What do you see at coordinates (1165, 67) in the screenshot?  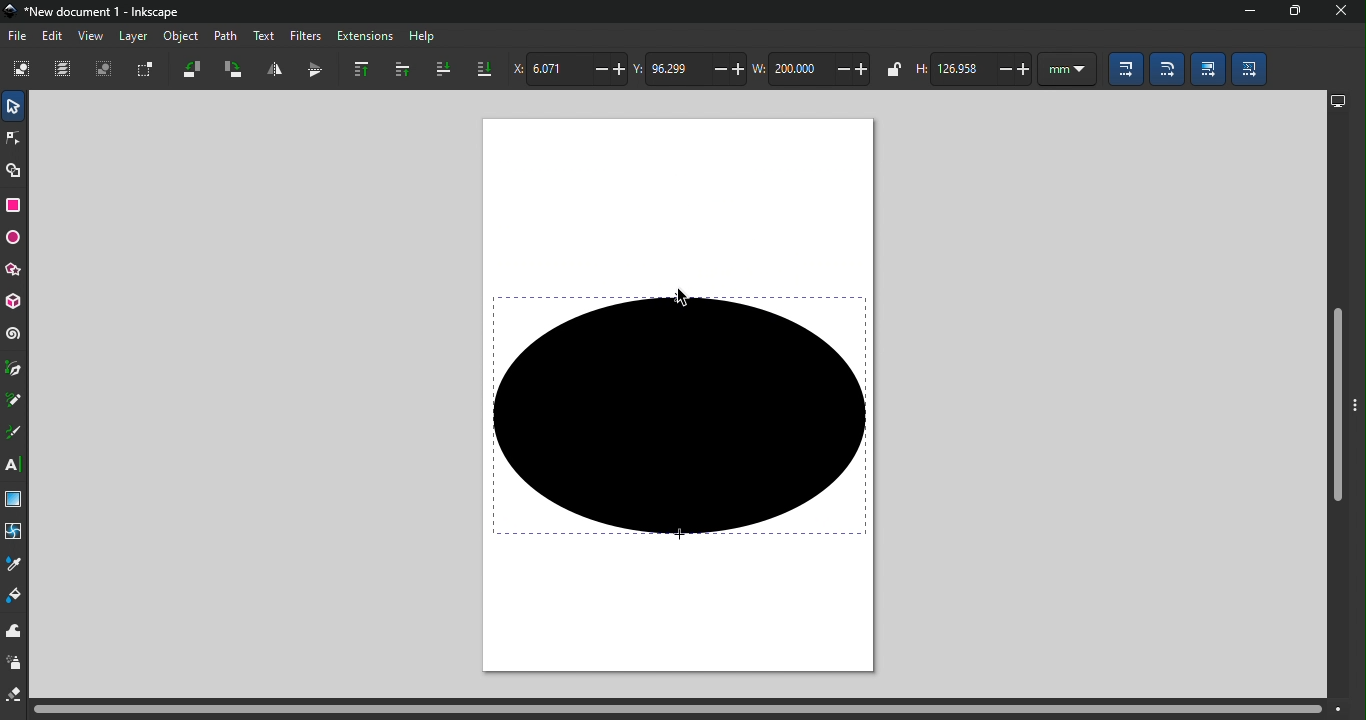 I see `When scaling rectangles, scale the radii of rounded corners` at bounding box center [1165, 67].